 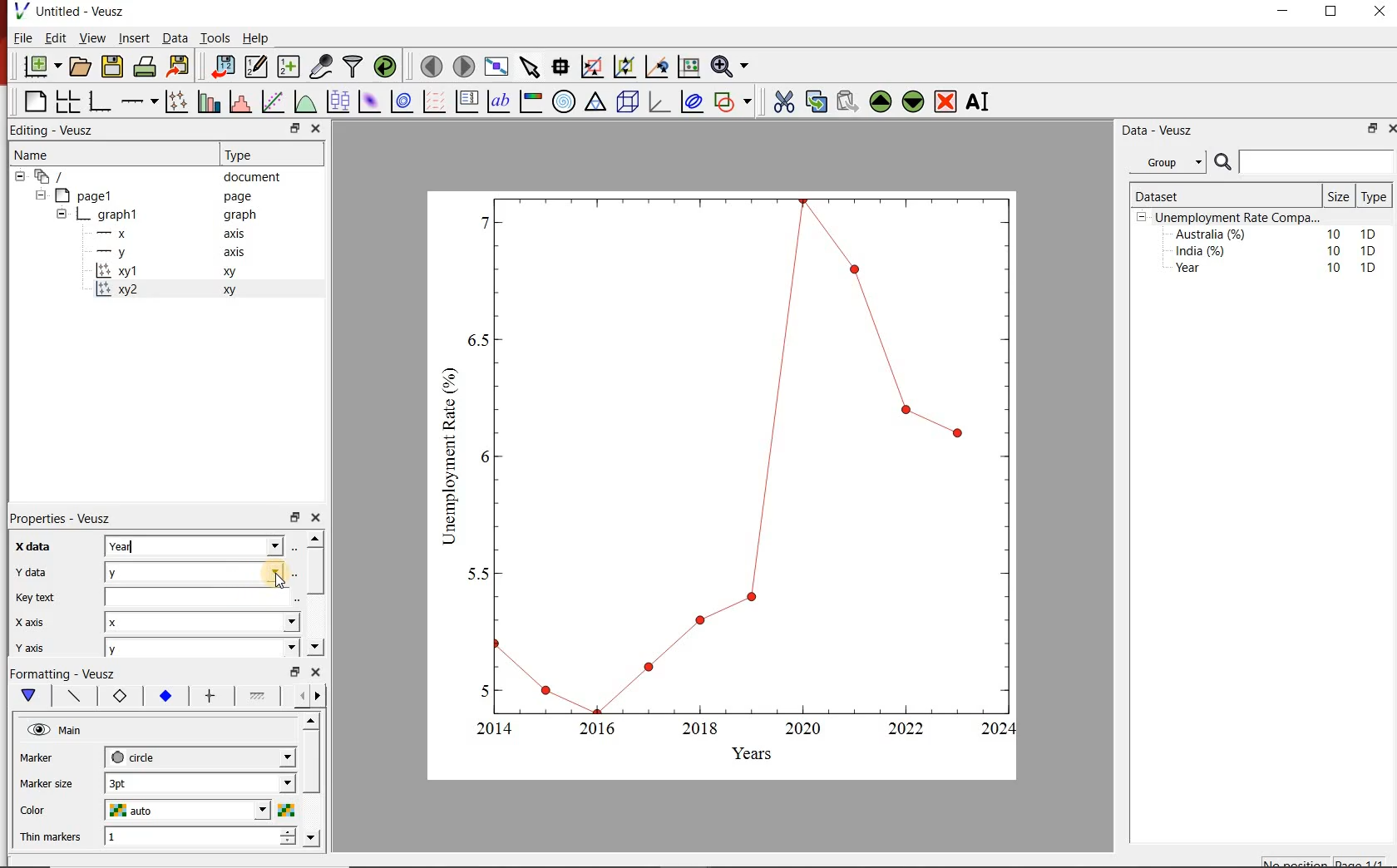 I want to click on y, so click(x=200, y=570).